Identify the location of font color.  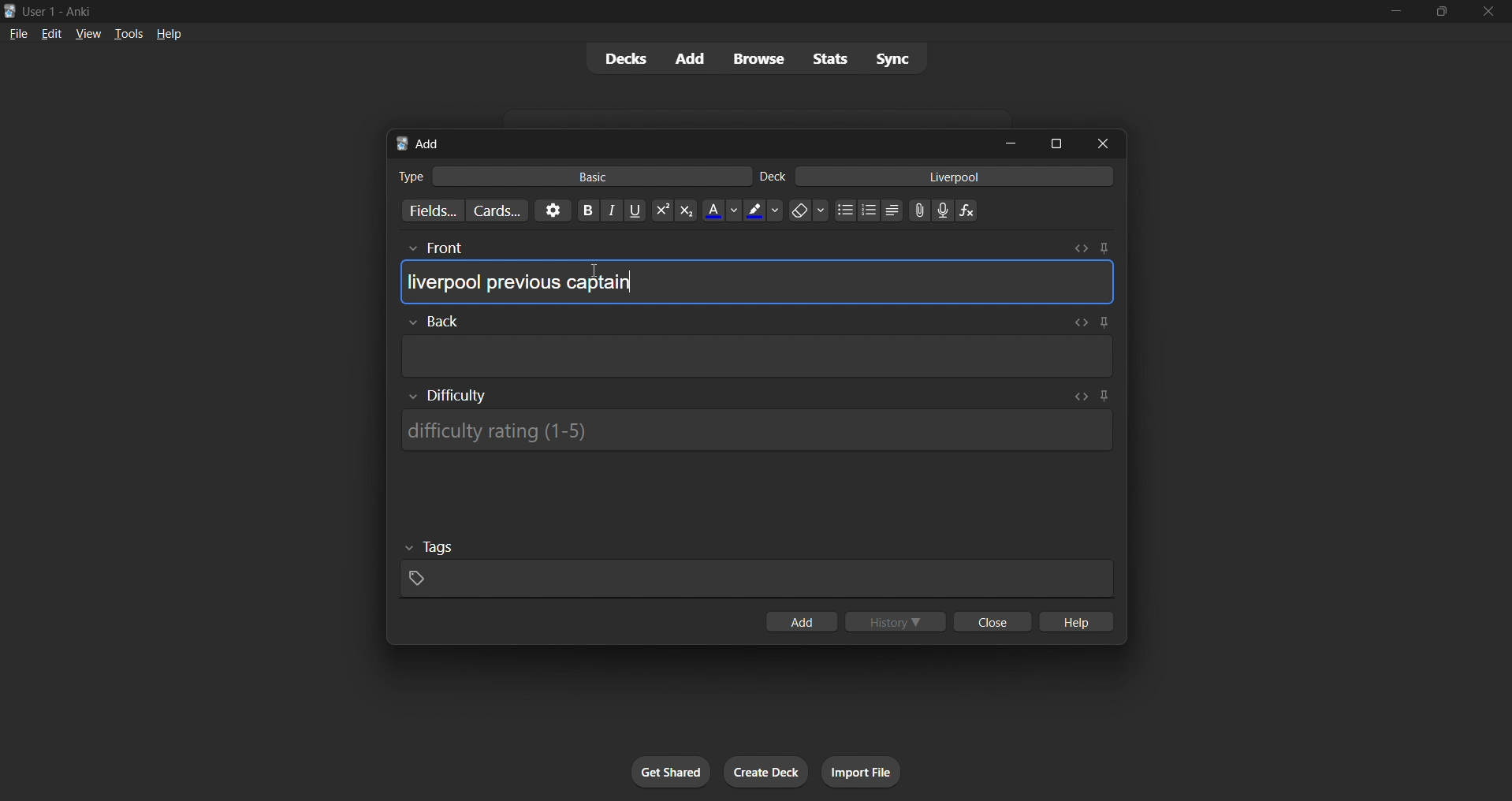
(717, 209).